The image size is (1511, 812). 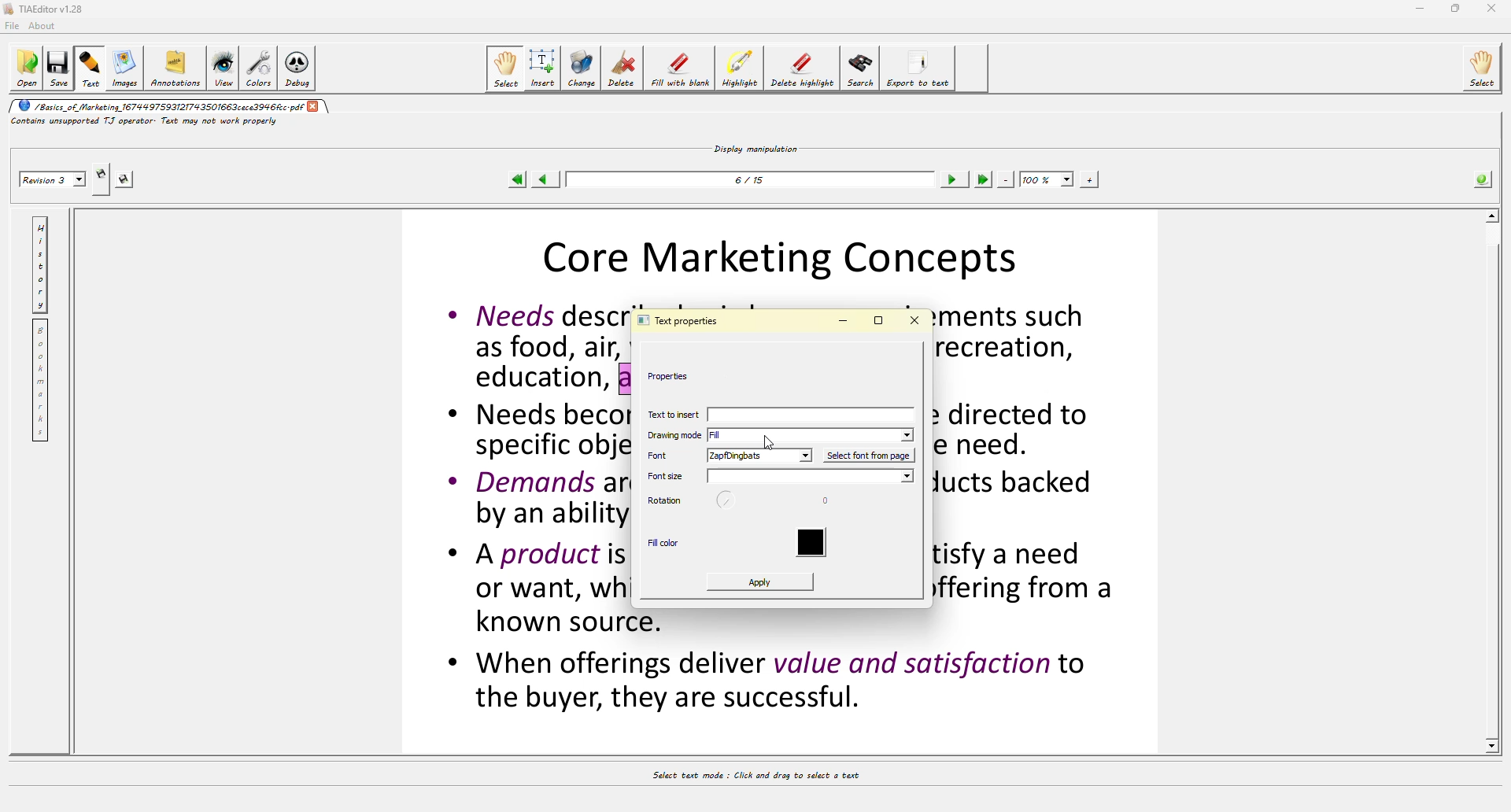 I want to click on colors, so click(x=257, y=68).